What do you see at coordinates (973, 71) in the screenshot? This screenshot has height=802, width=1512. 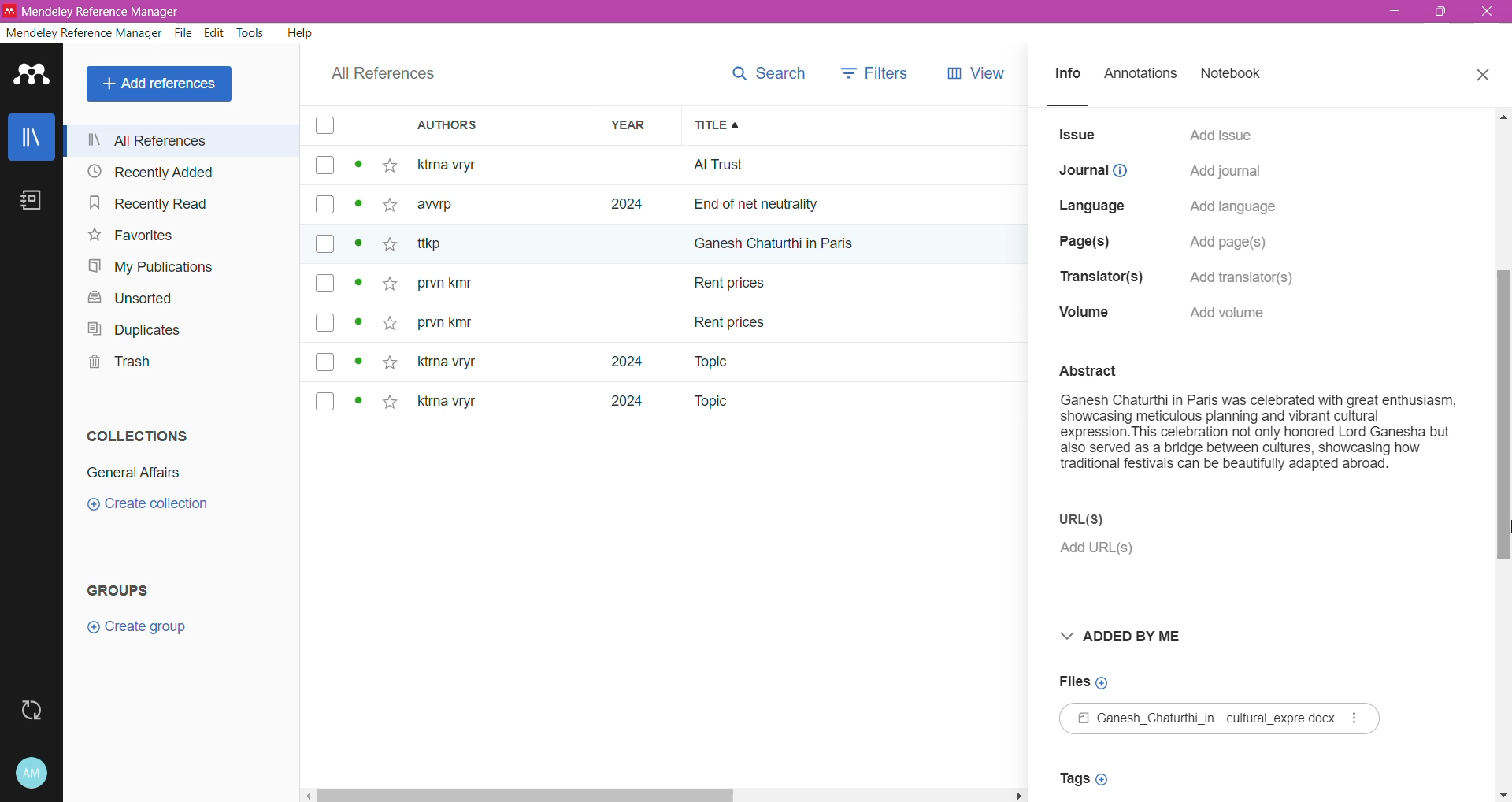 I see `View` at bounding box center [973, 71].